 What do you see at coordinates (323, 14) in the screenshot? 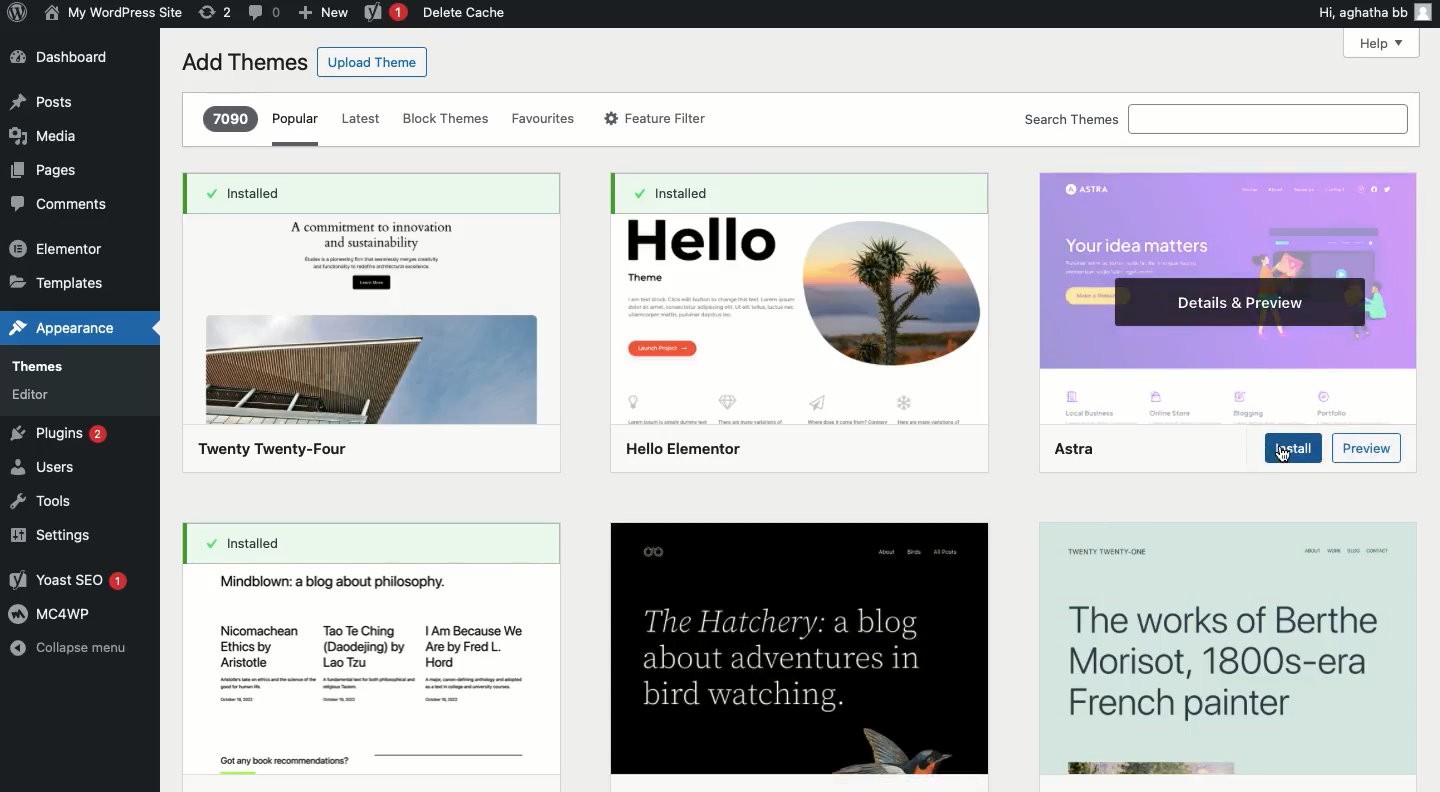
I see `New` at bounding box center [323, 14].